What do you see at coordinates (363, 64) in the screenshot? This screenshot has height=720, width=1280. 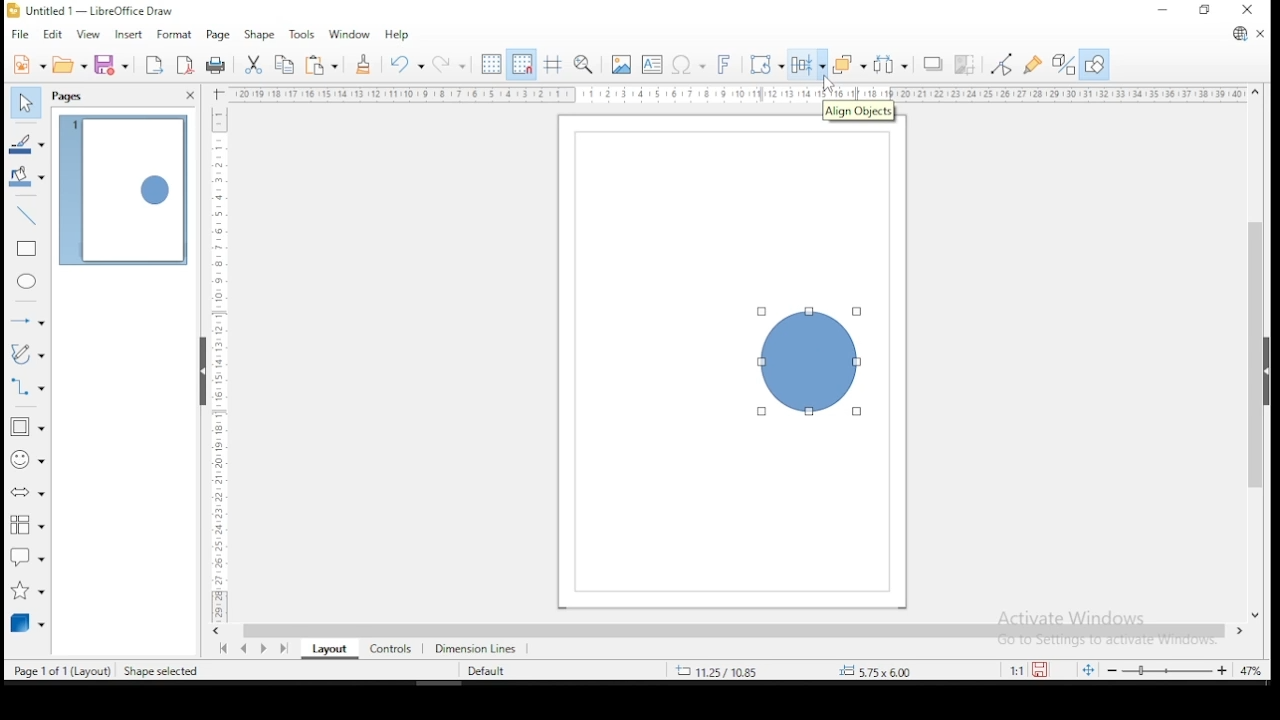 I see `clone formatting` at bounding box center [363, 64].